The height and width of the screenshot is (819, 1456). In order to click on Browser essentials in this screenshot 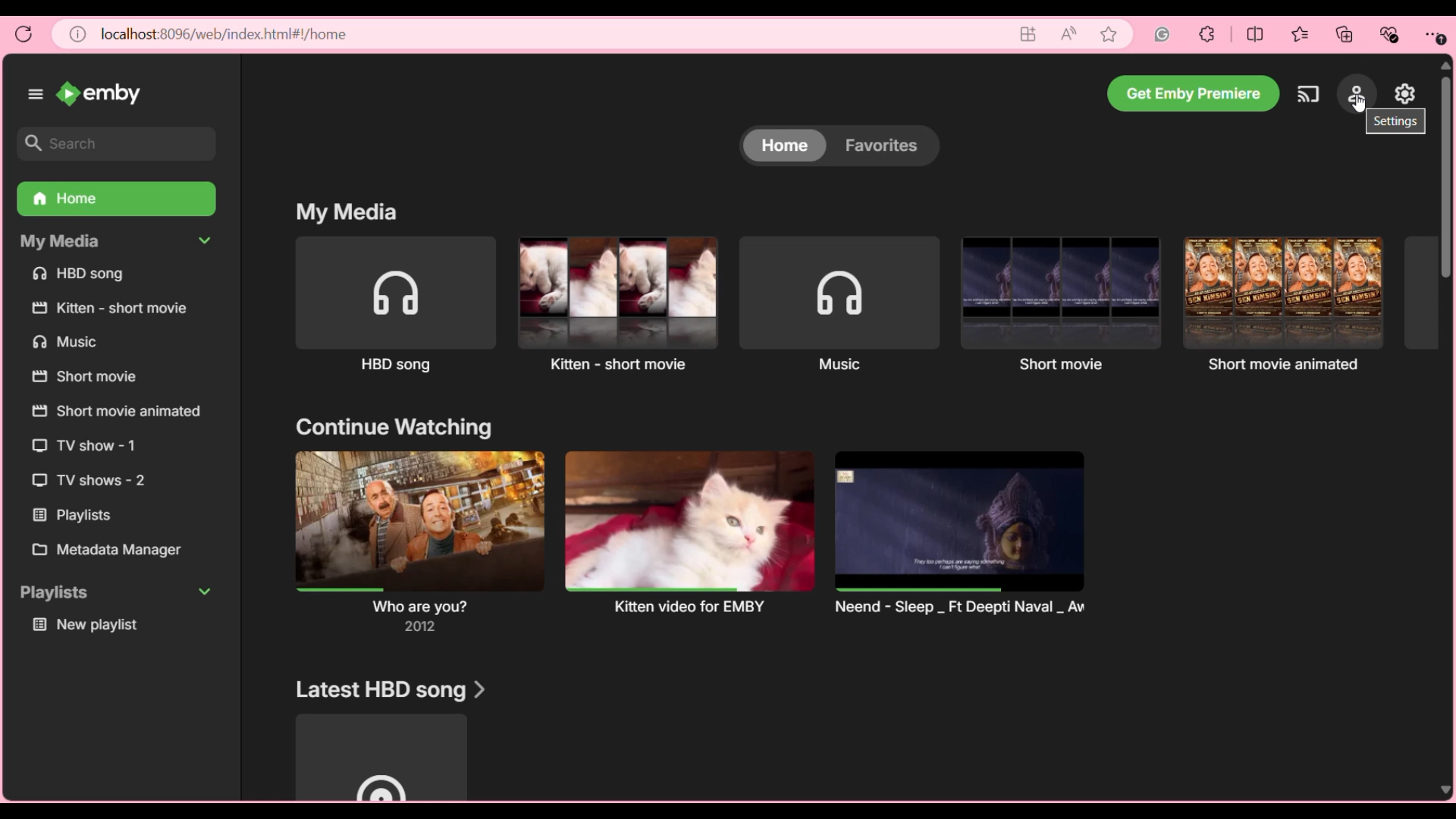, I will do `click(1389, 35)`.